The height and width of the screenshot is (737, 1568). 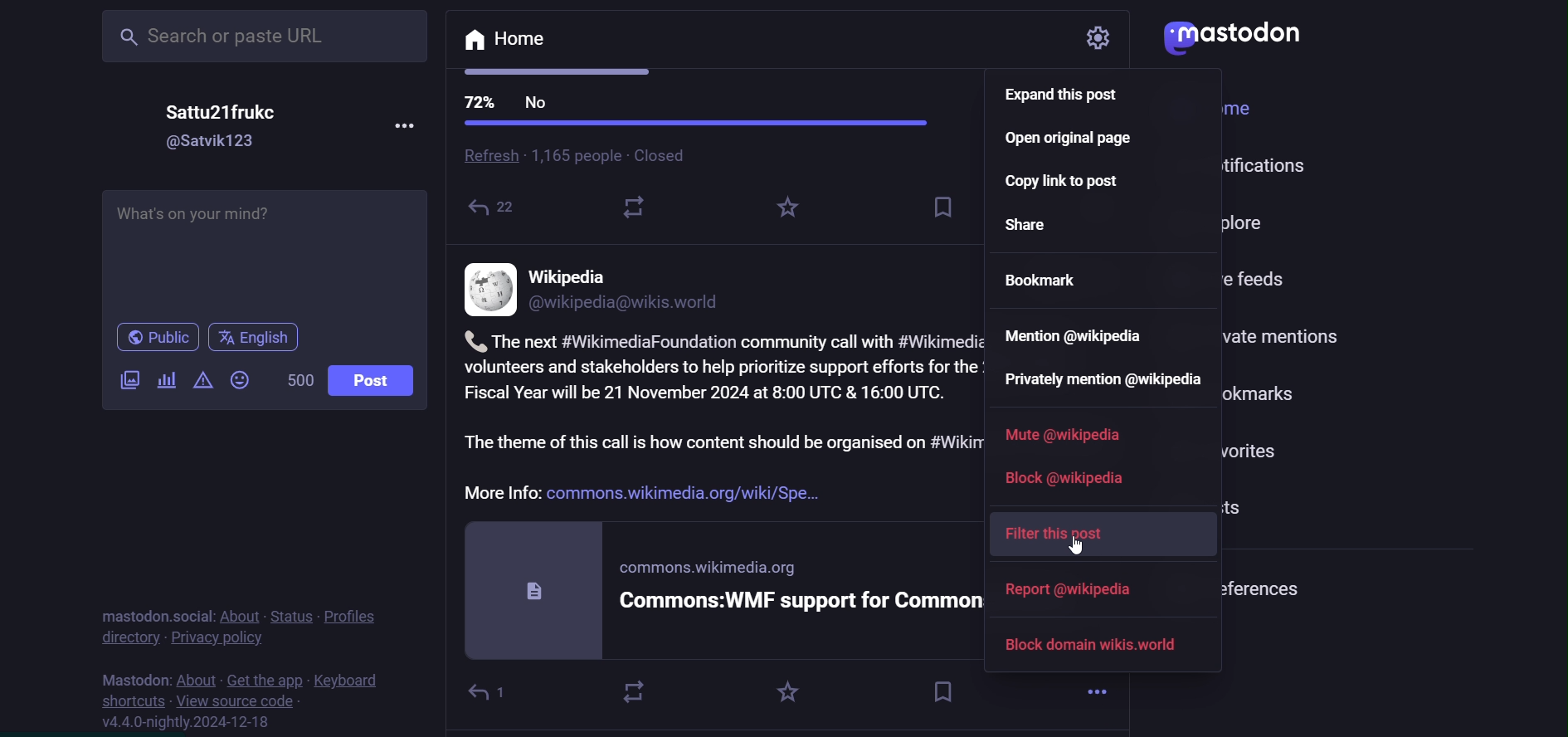 What do you see at coordinates (1076, 591) in the screenshot?
I see `report ` at bounding box center [1076, 591].